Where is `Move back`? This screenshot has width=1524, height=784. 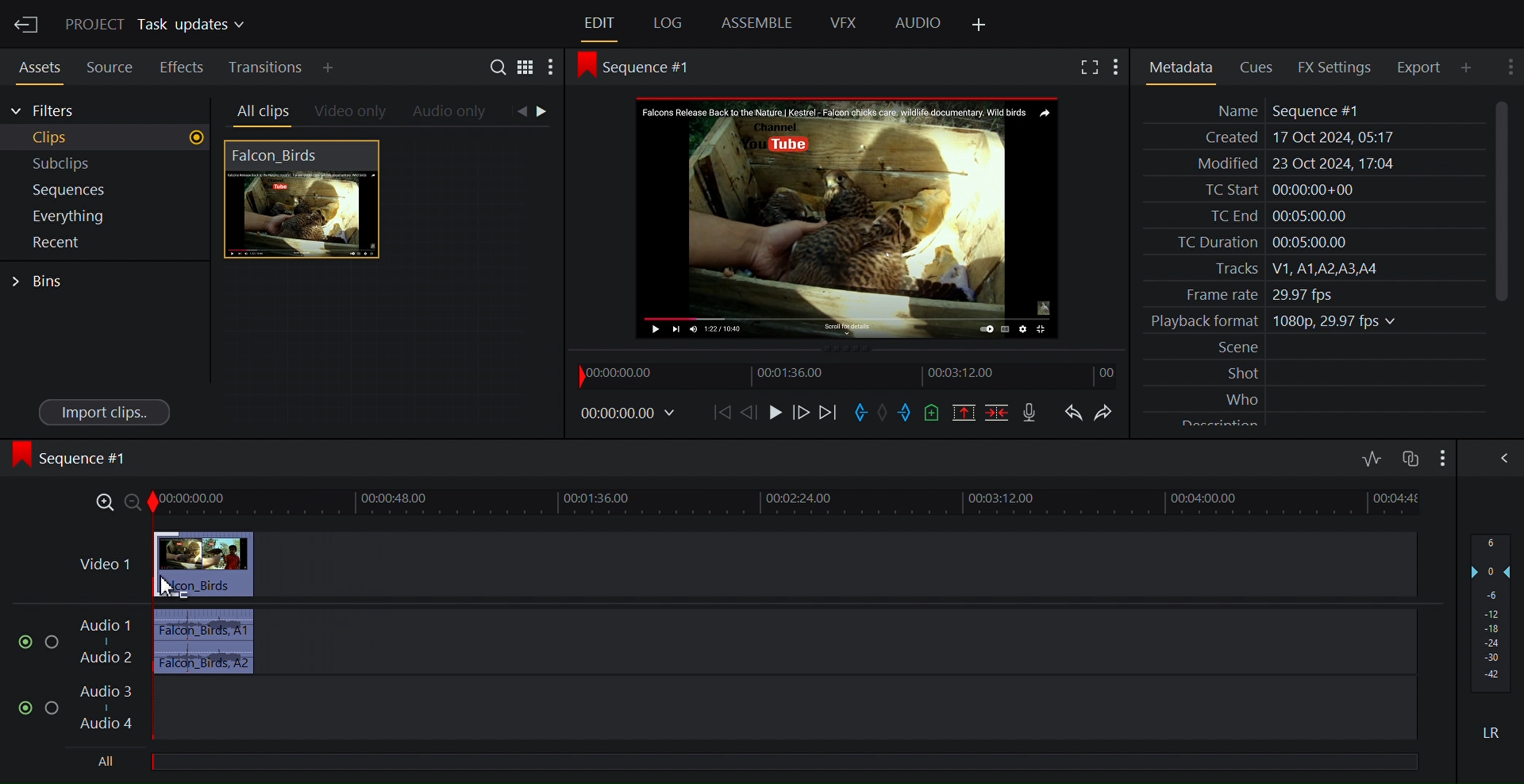
Move back is located at coordinates (725, 413).